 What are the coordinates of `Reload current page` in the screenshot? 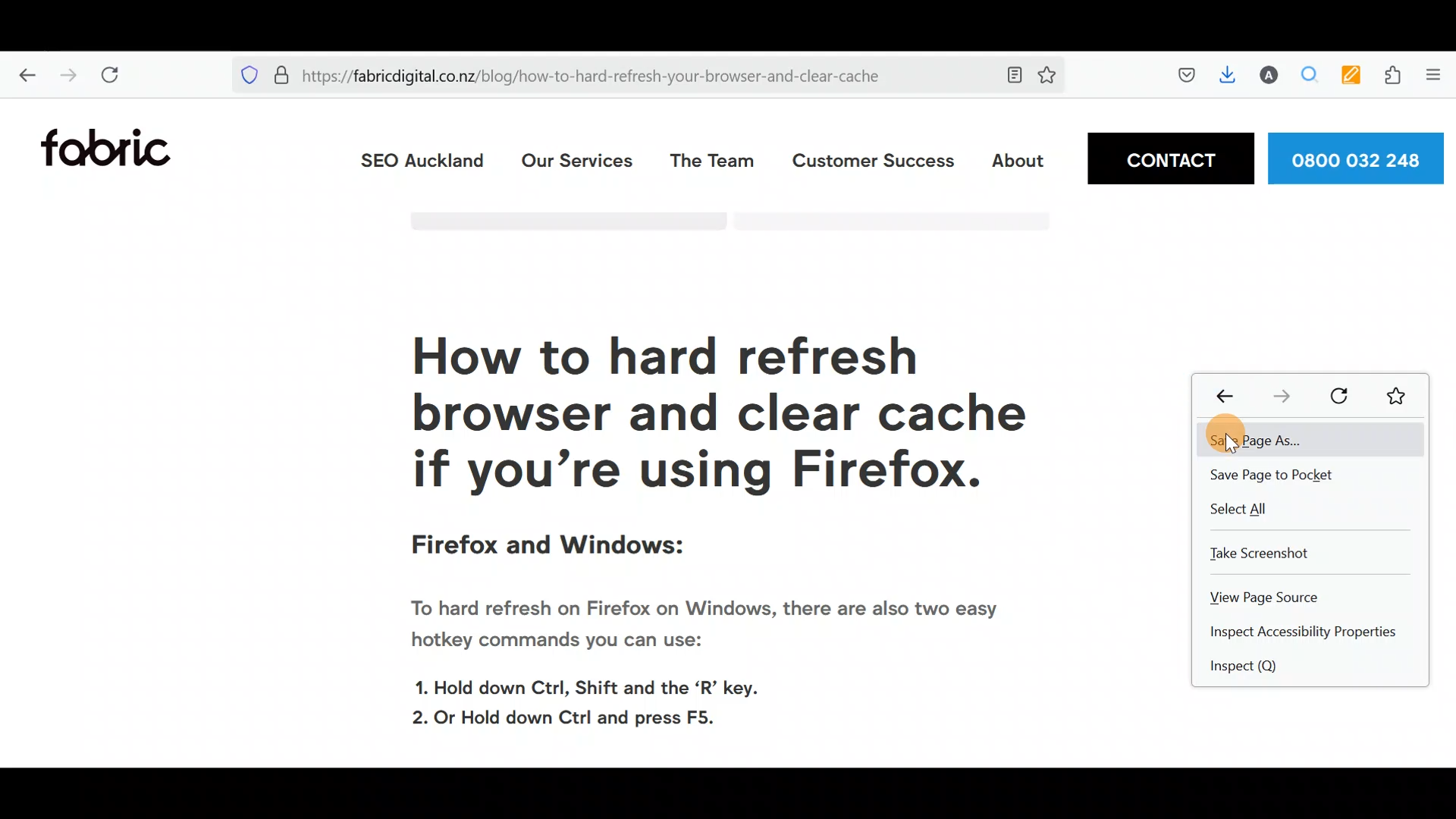 It's located at (115, 75).